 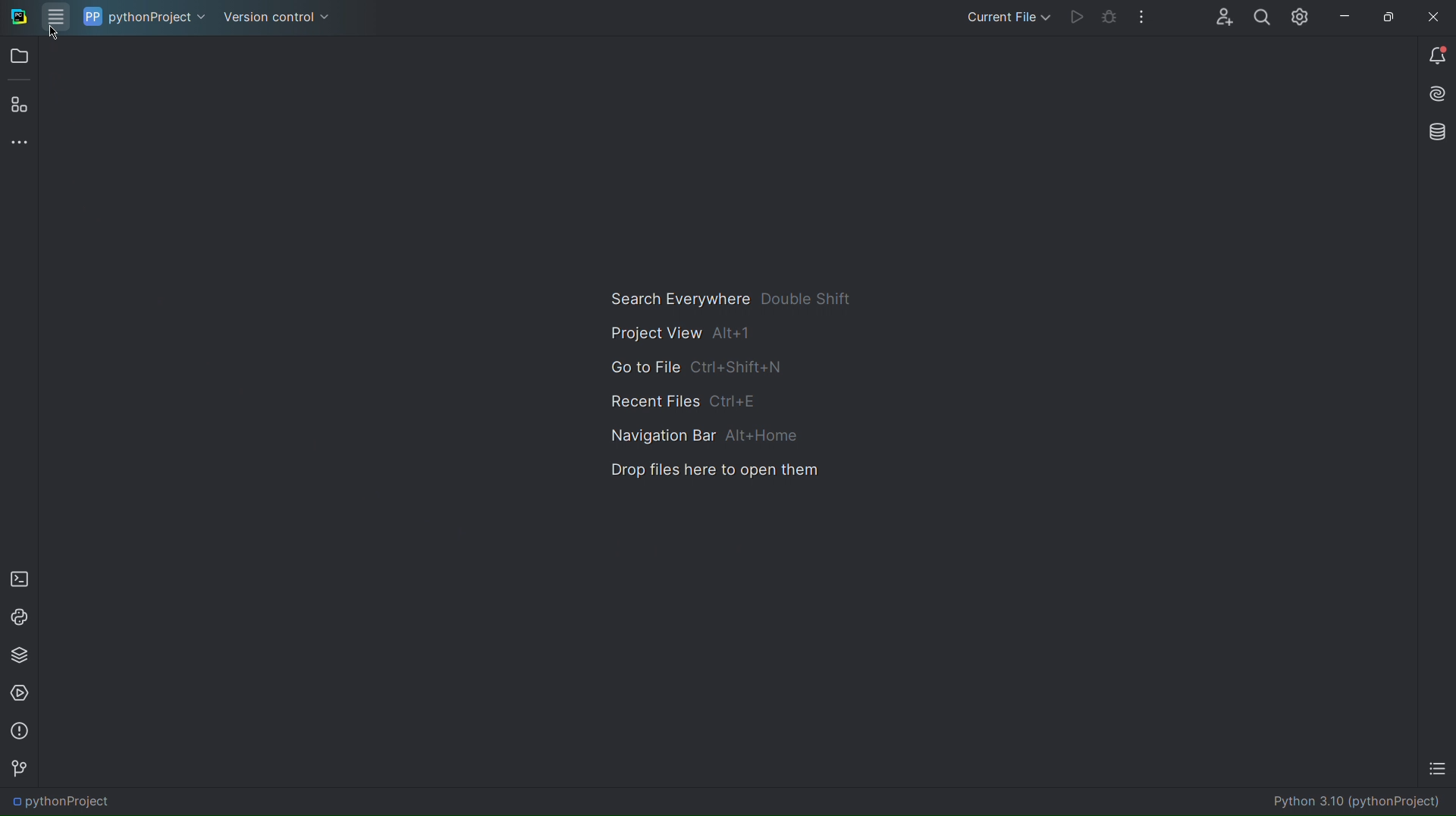 What do you see at coordinates (698, 368) in the screenshot?
I see `Go to File` at bounding box center [698, 368].